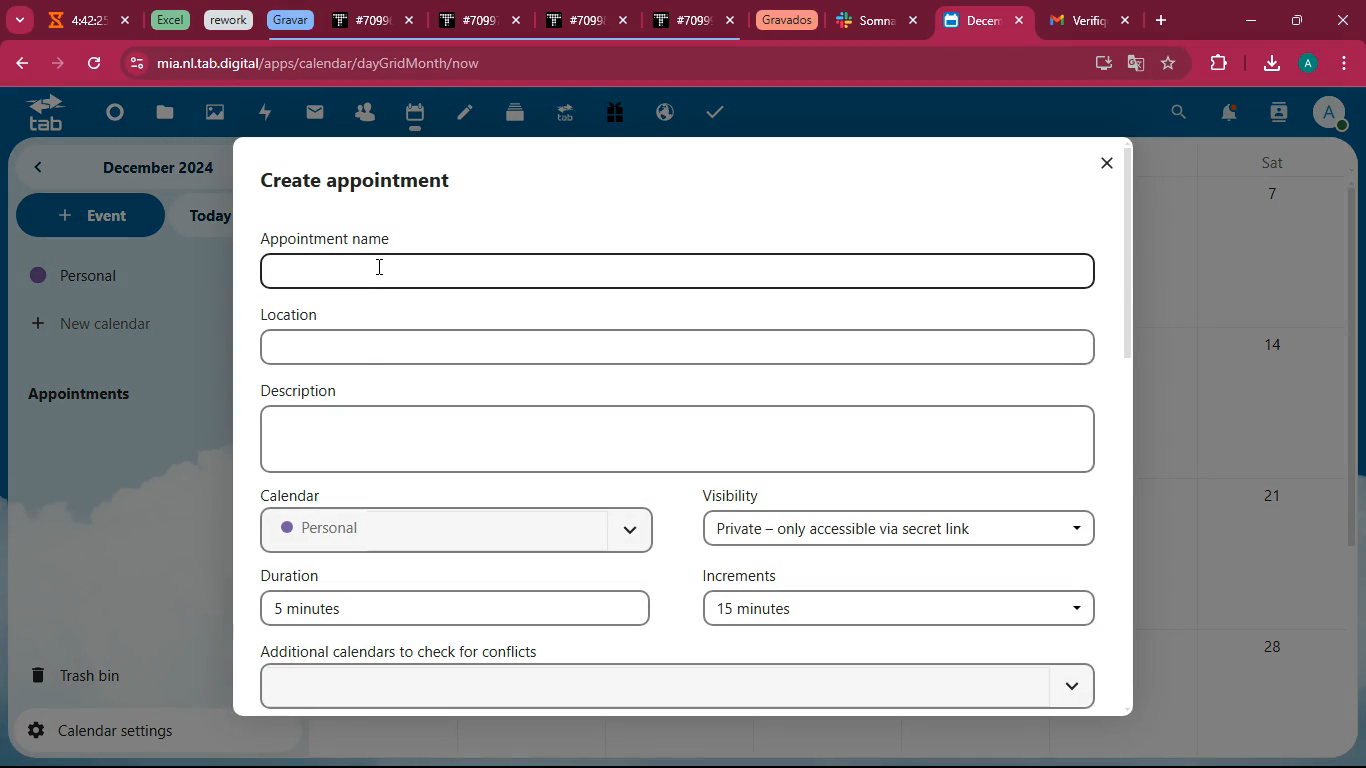 The width and height of the screenshot is (1366, 768). Describe the element at coordinates (110, 114) in the screenshot. I see `beginning` at that location.